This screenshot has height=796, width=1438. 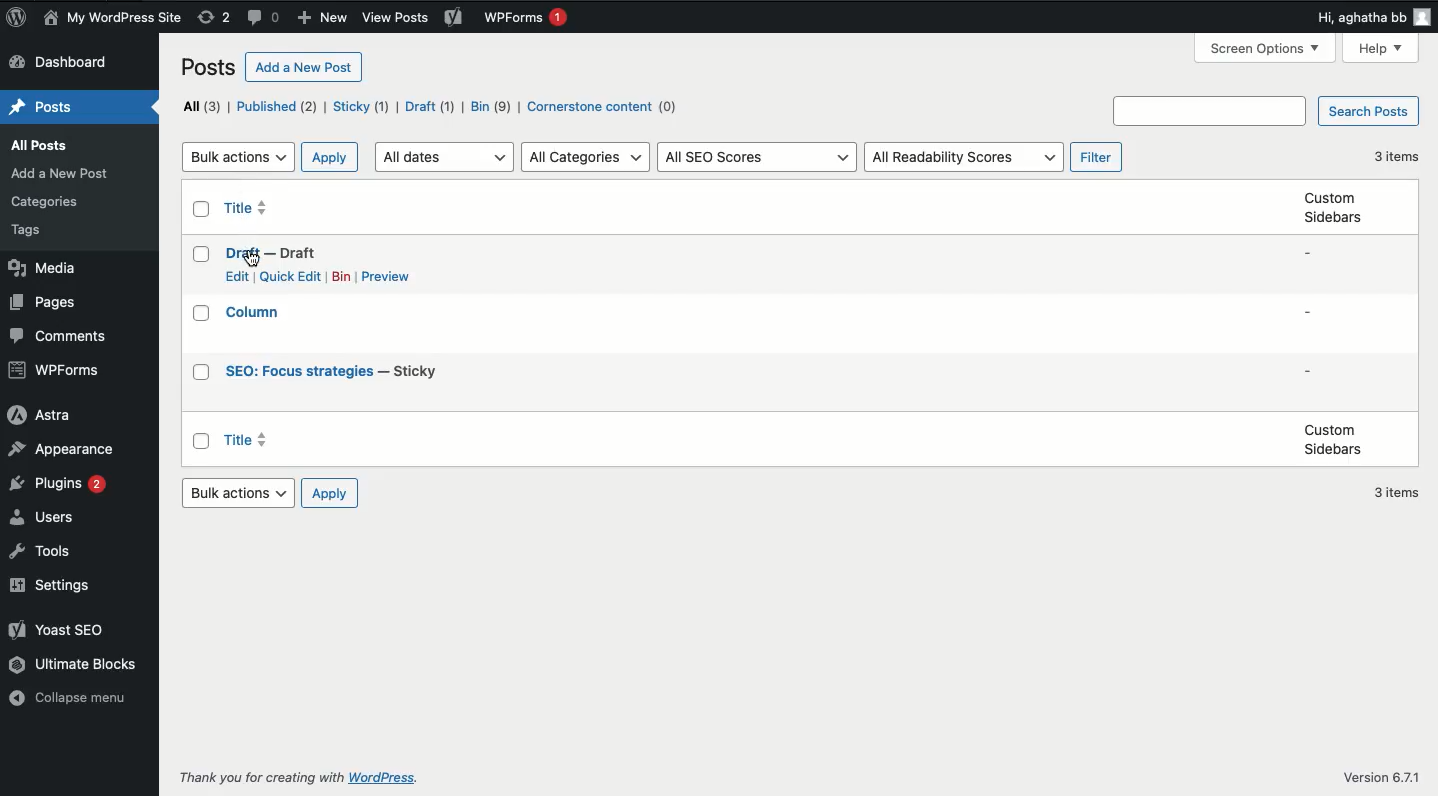 What do you see at coordinates (248, 440) in the screenshot?
I see `Title` at bounding box center [248, 440].